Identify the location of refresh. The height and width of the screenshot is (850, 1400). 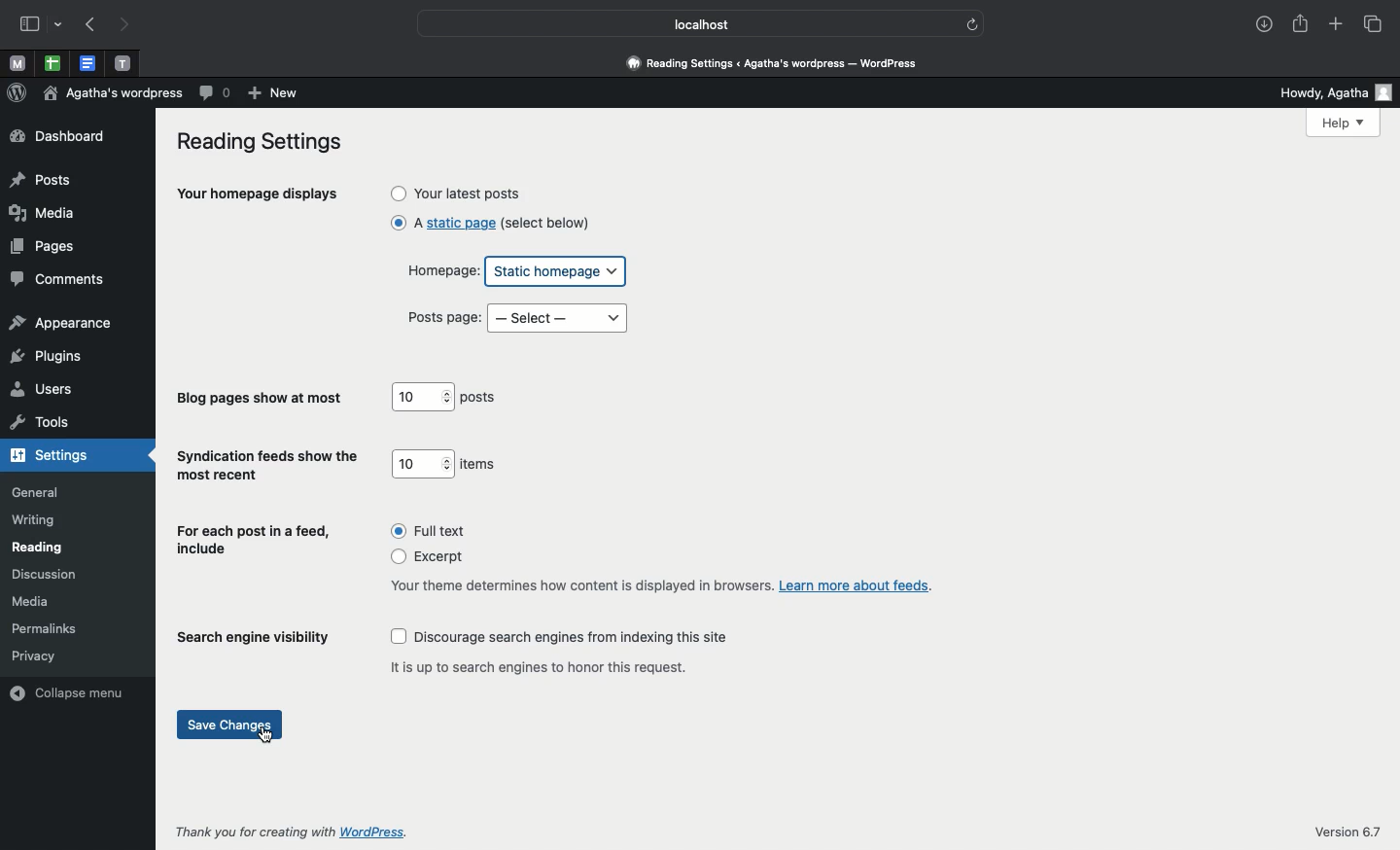
(974, 23).